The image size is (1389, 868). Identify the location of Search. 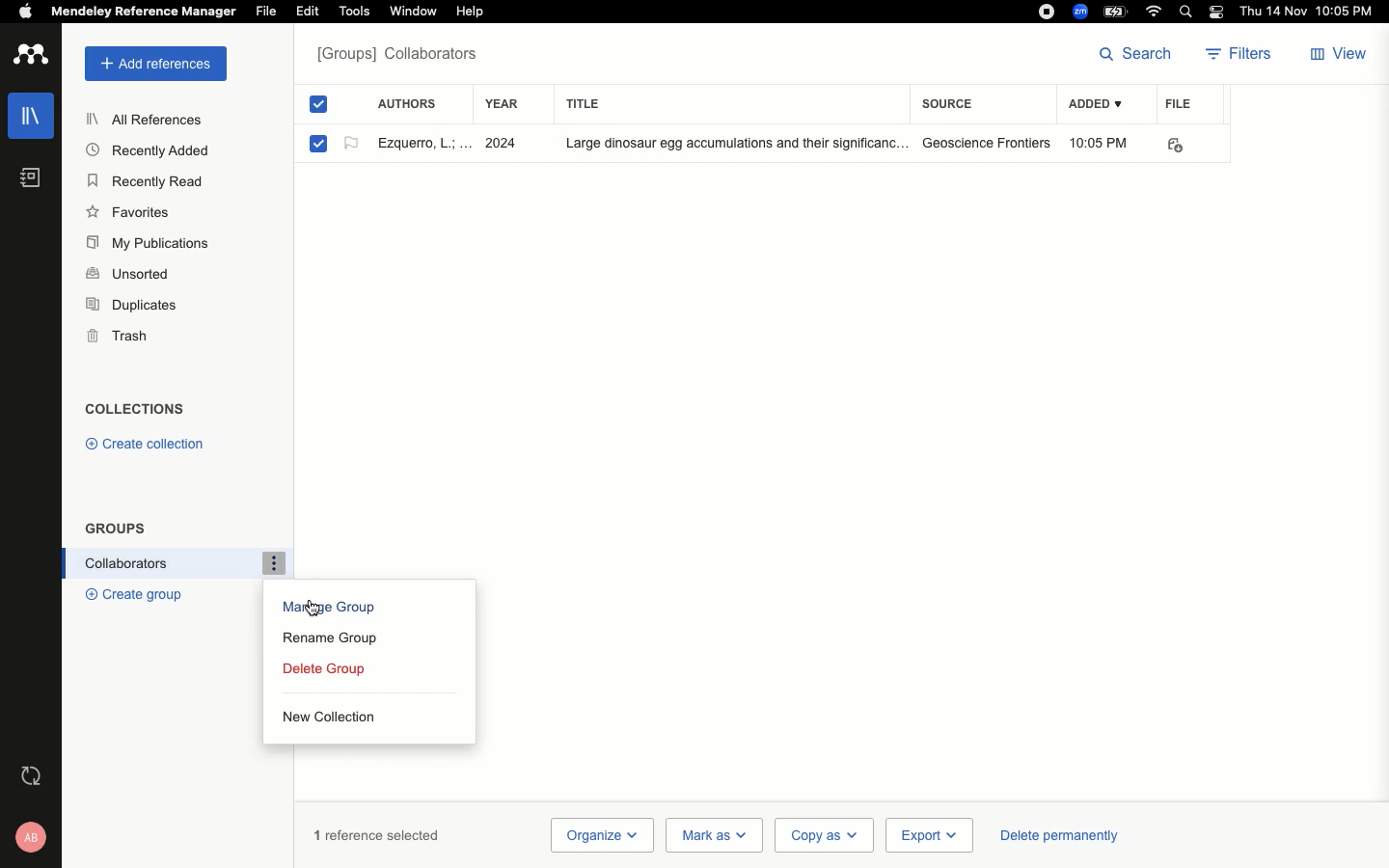
(1135, 52).